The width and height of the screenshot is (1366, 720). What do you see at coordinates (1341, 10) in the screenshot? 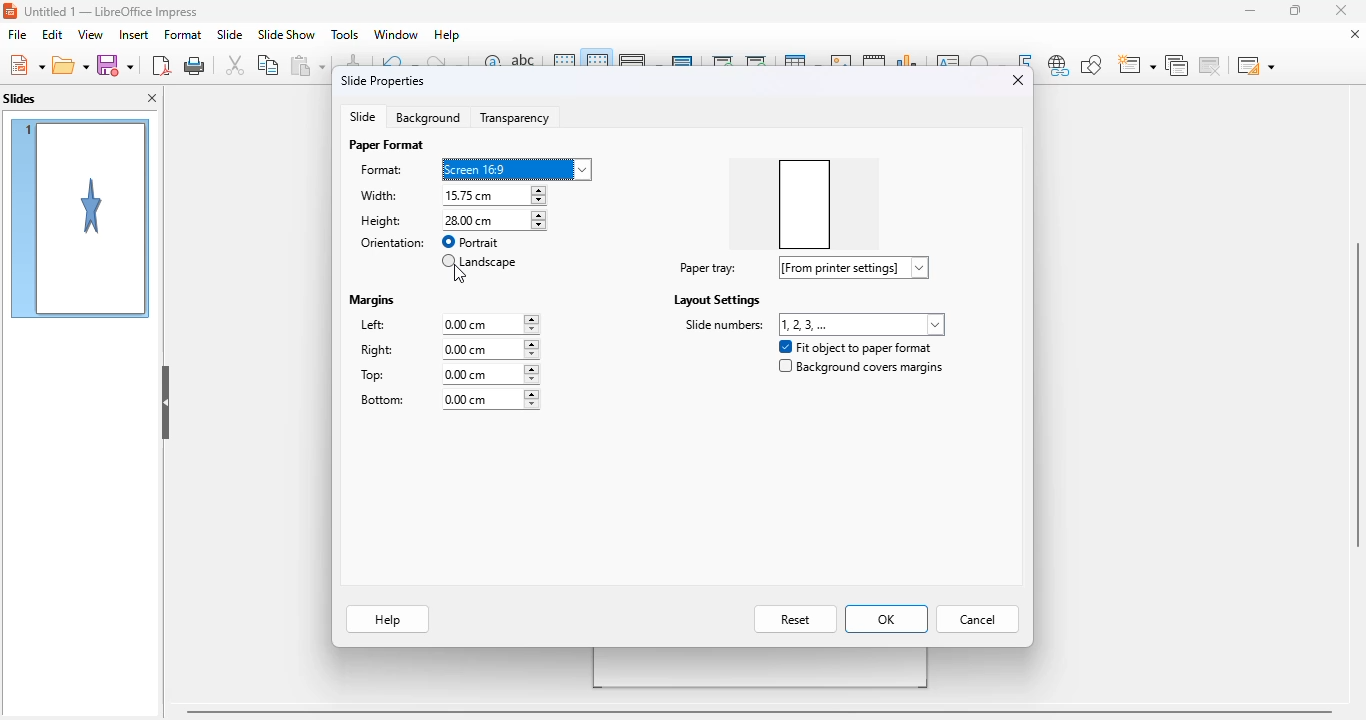
I see `close` at bounding box center [1341, 10].